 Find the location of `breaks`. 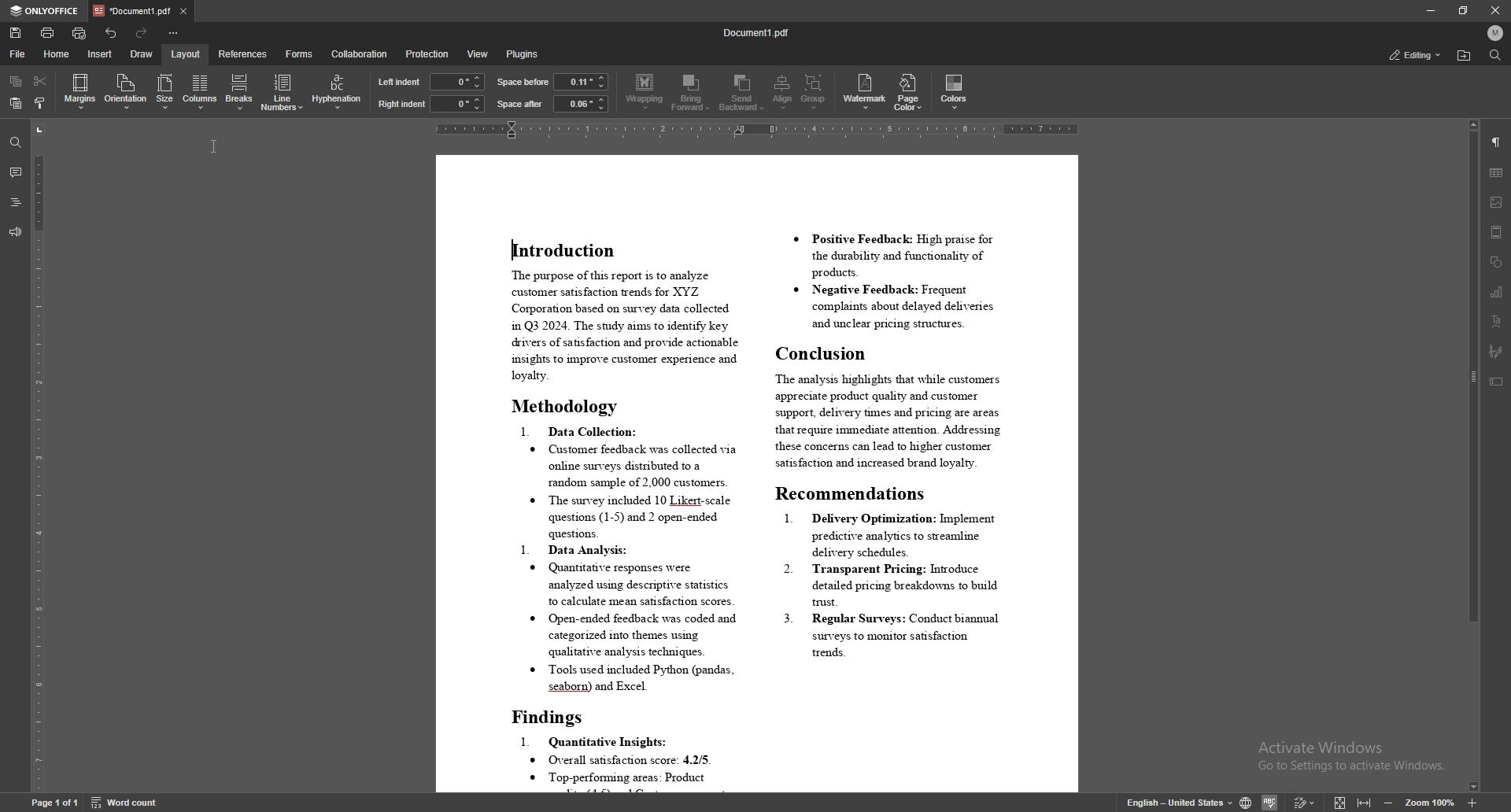

breaks is located at coordinates (241, 91).